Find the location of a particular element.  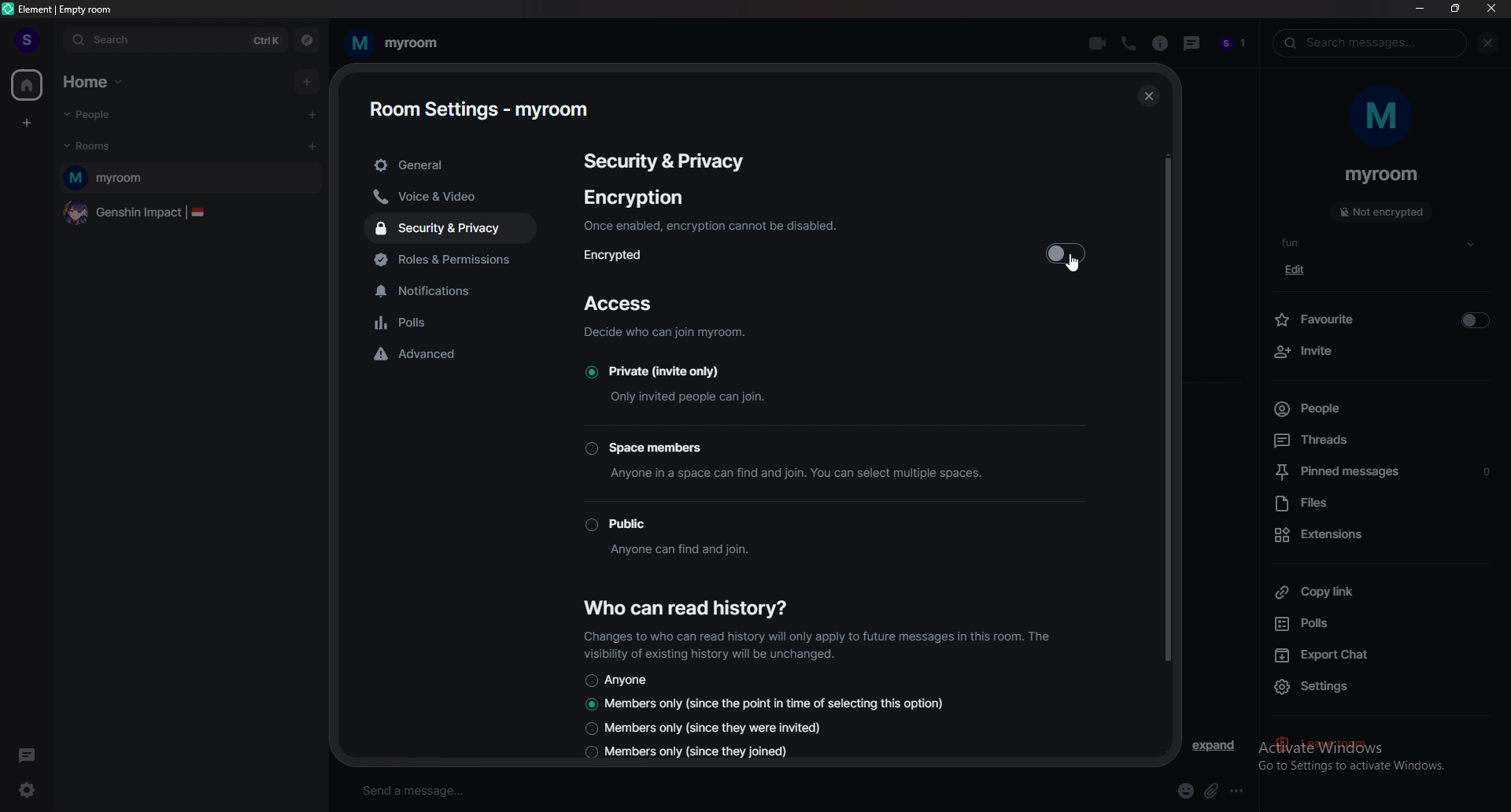

attach is located at coordinates (1211, 791).